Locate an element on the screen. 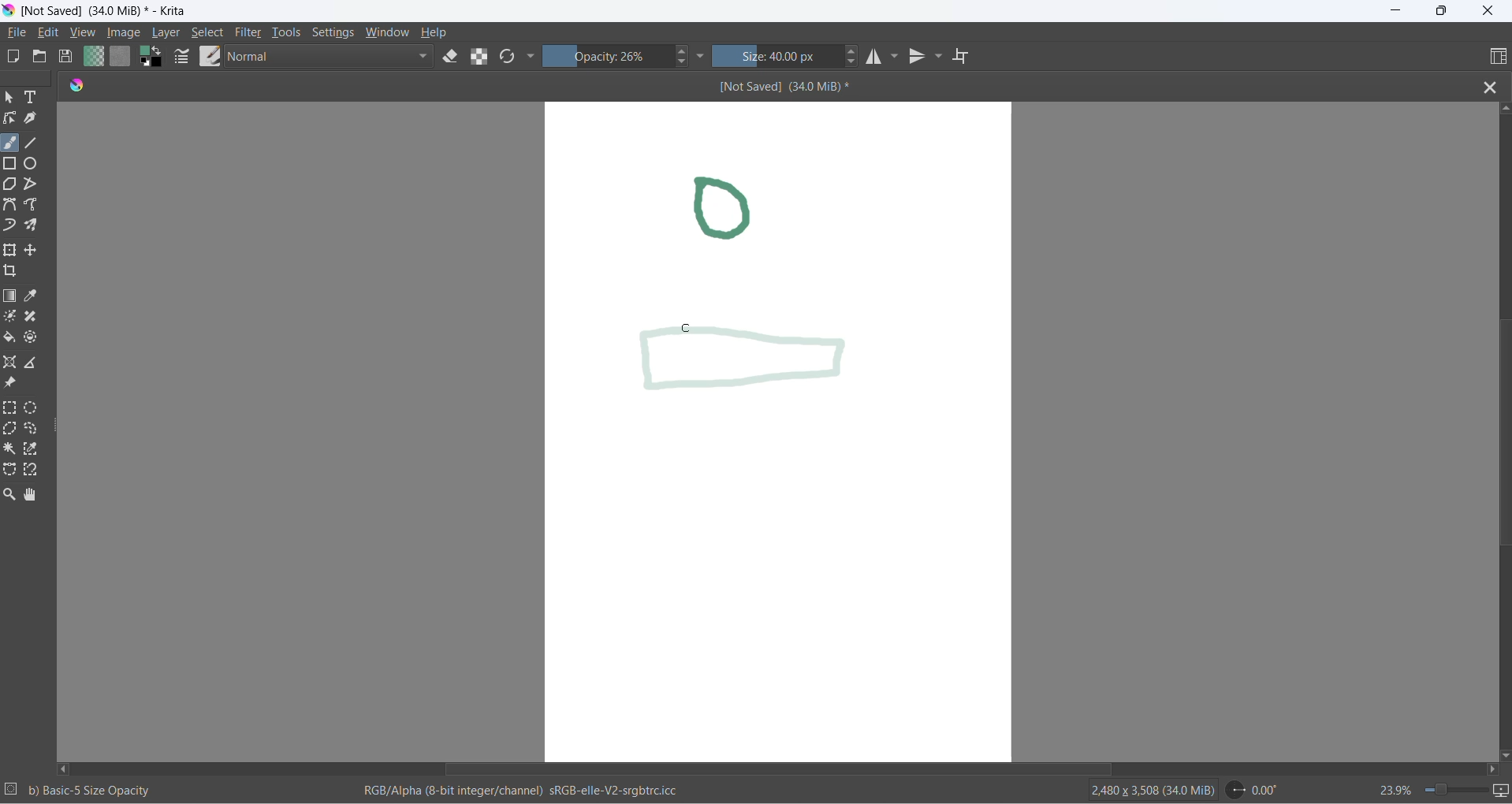  polygon tool is located at coordinates (10, 185).